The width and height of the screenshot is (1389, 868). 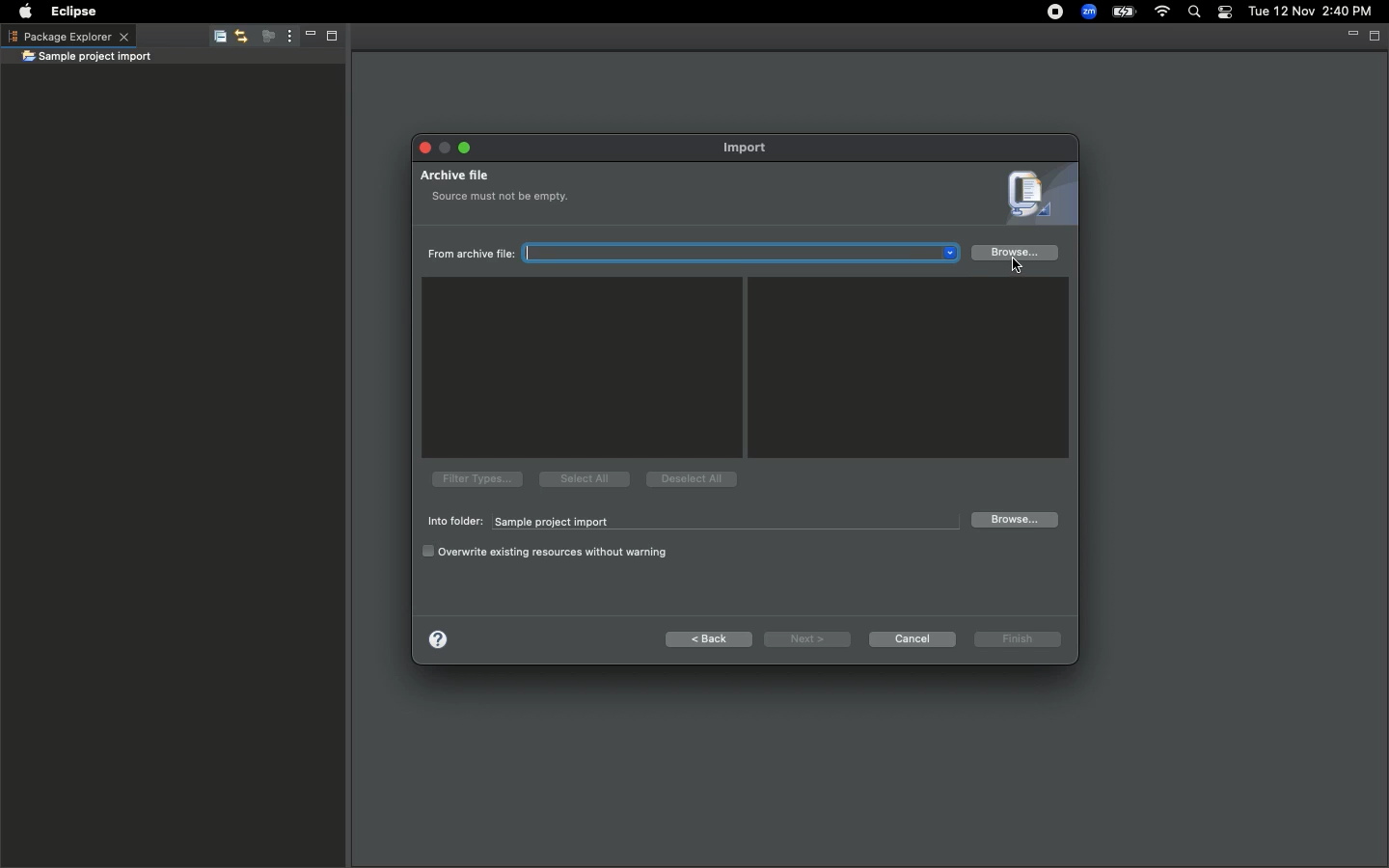 I want to click on Zoom, so click(x=1087, y=12).